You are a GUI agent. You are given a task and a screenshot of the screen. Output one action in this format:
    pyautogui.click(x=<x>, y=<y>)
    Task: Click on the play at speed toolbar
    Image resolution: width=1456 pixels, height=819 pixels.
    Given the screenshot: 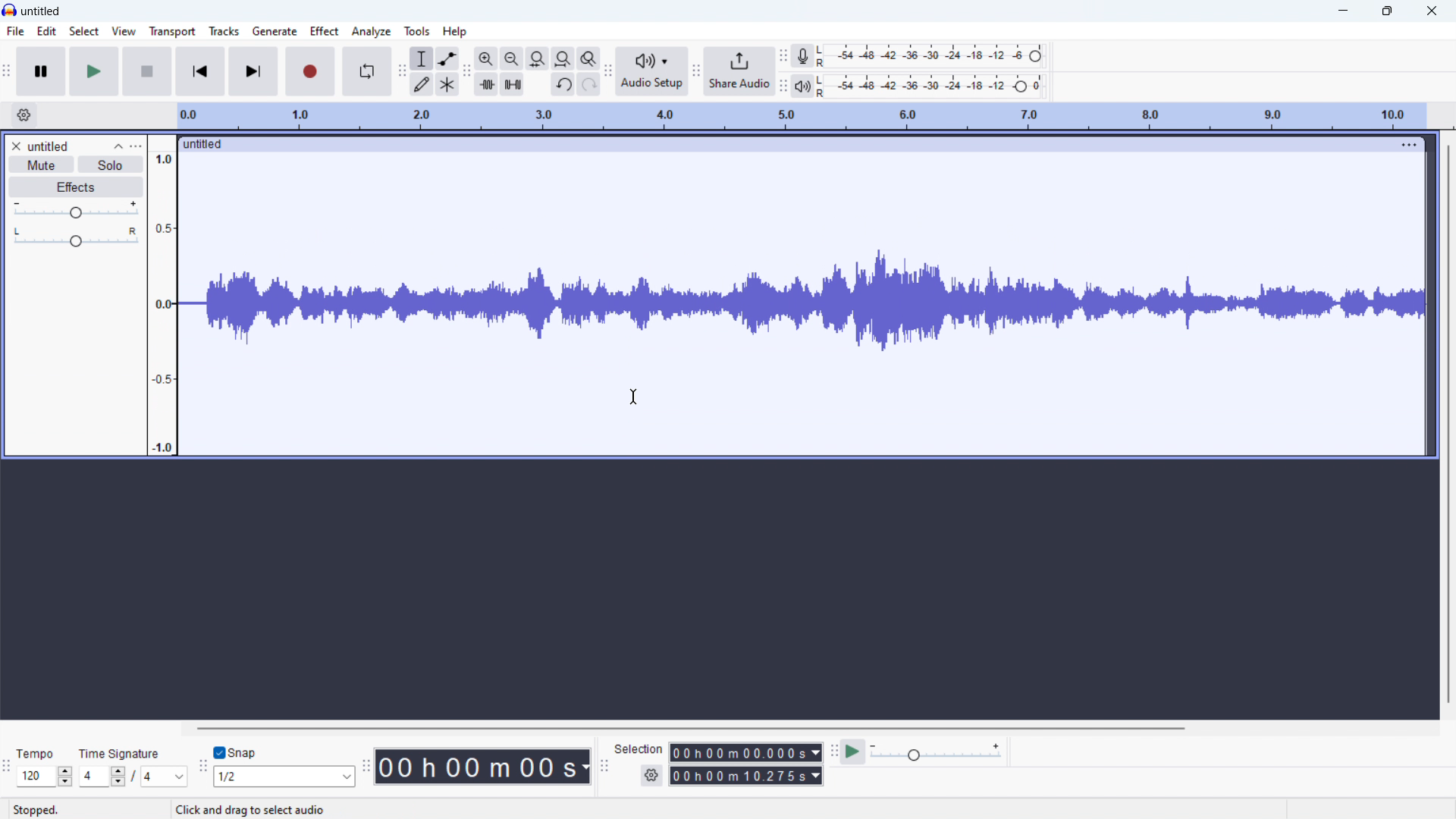 What is the action you would take?
    pyautogui.click(x=834, y=751)
    